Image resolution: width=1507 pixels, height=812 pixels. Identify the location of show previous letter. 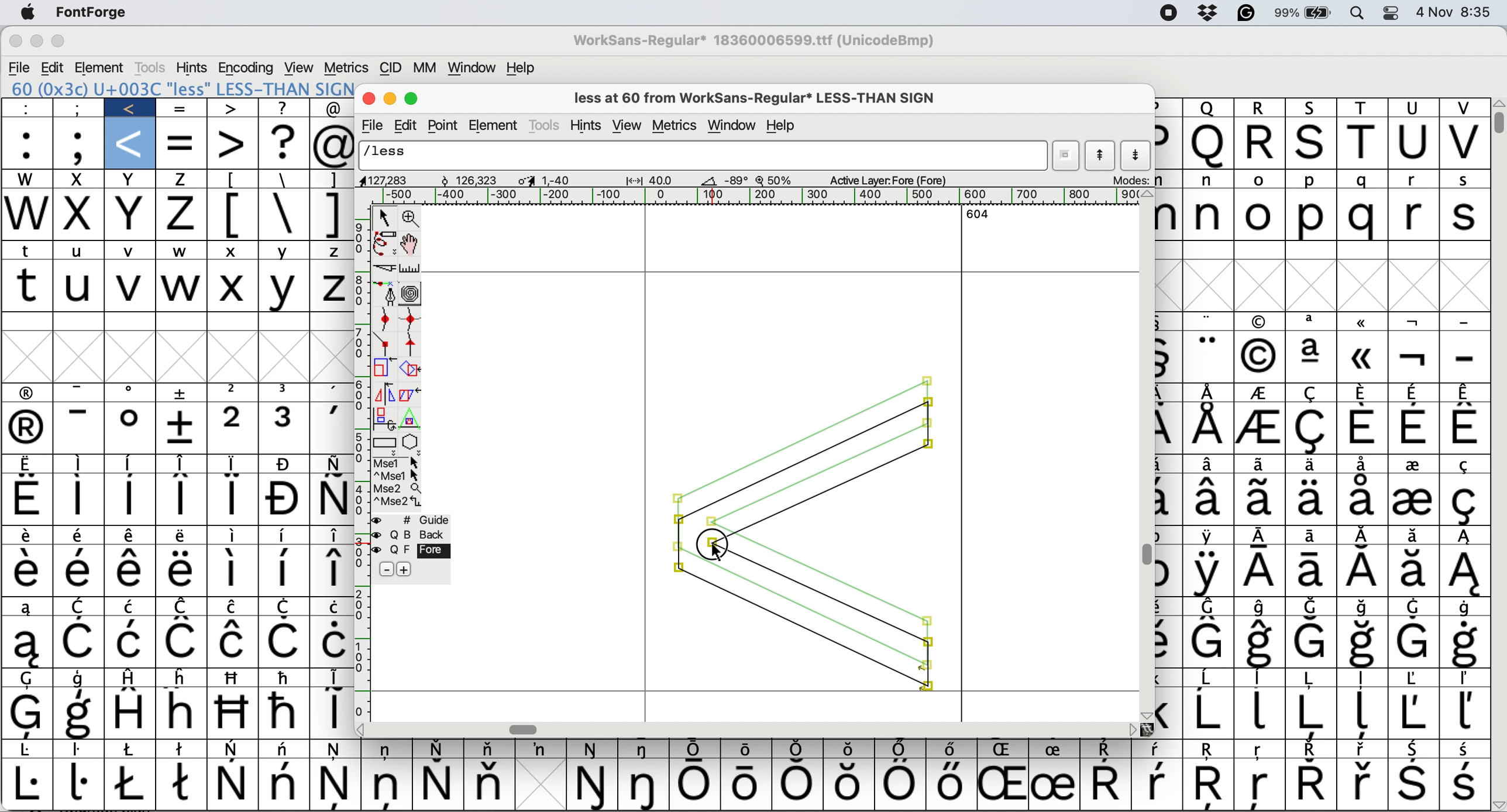
(1101, 156).